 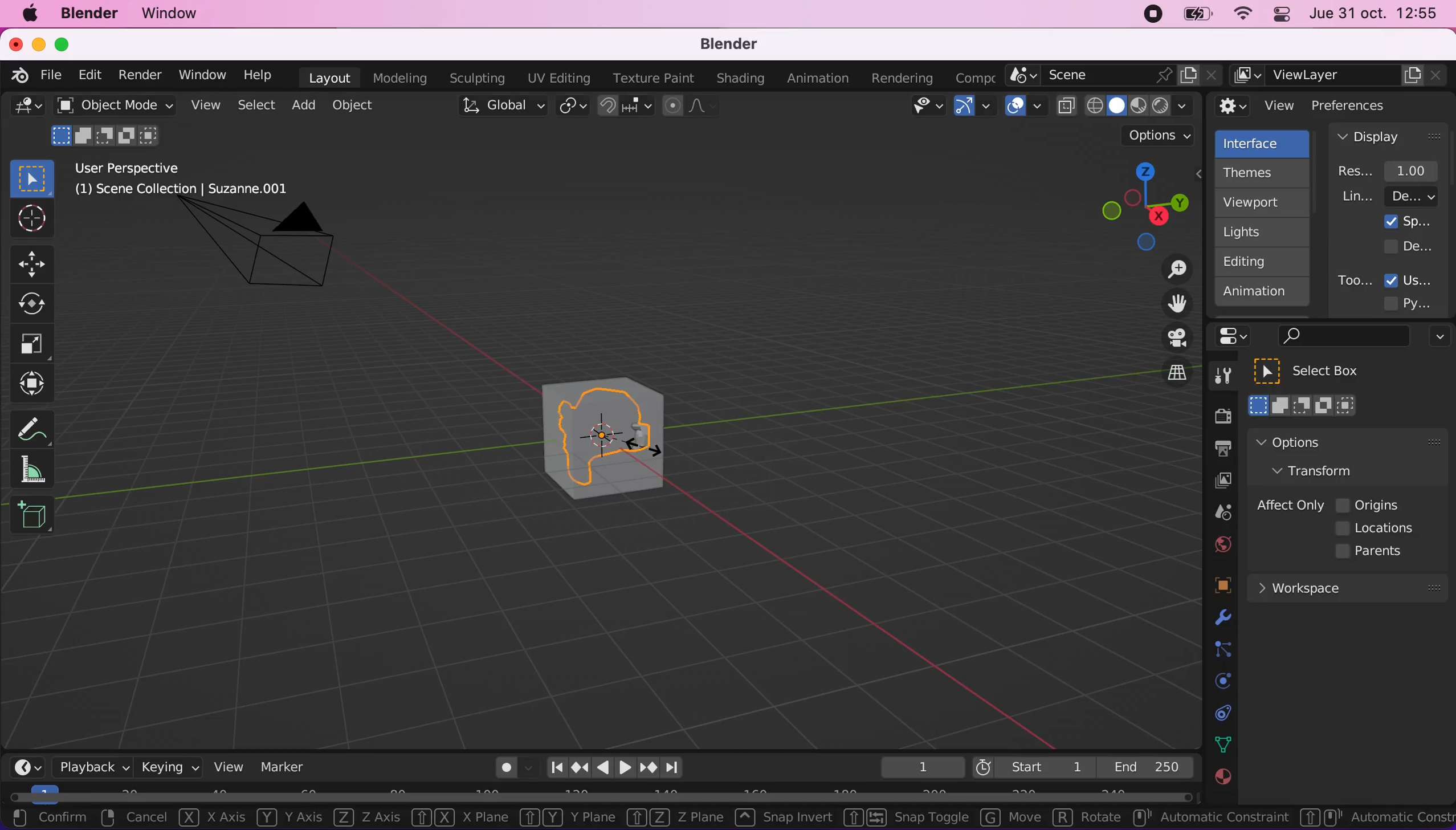 I want to click on move, so click(x=1006, y=818).